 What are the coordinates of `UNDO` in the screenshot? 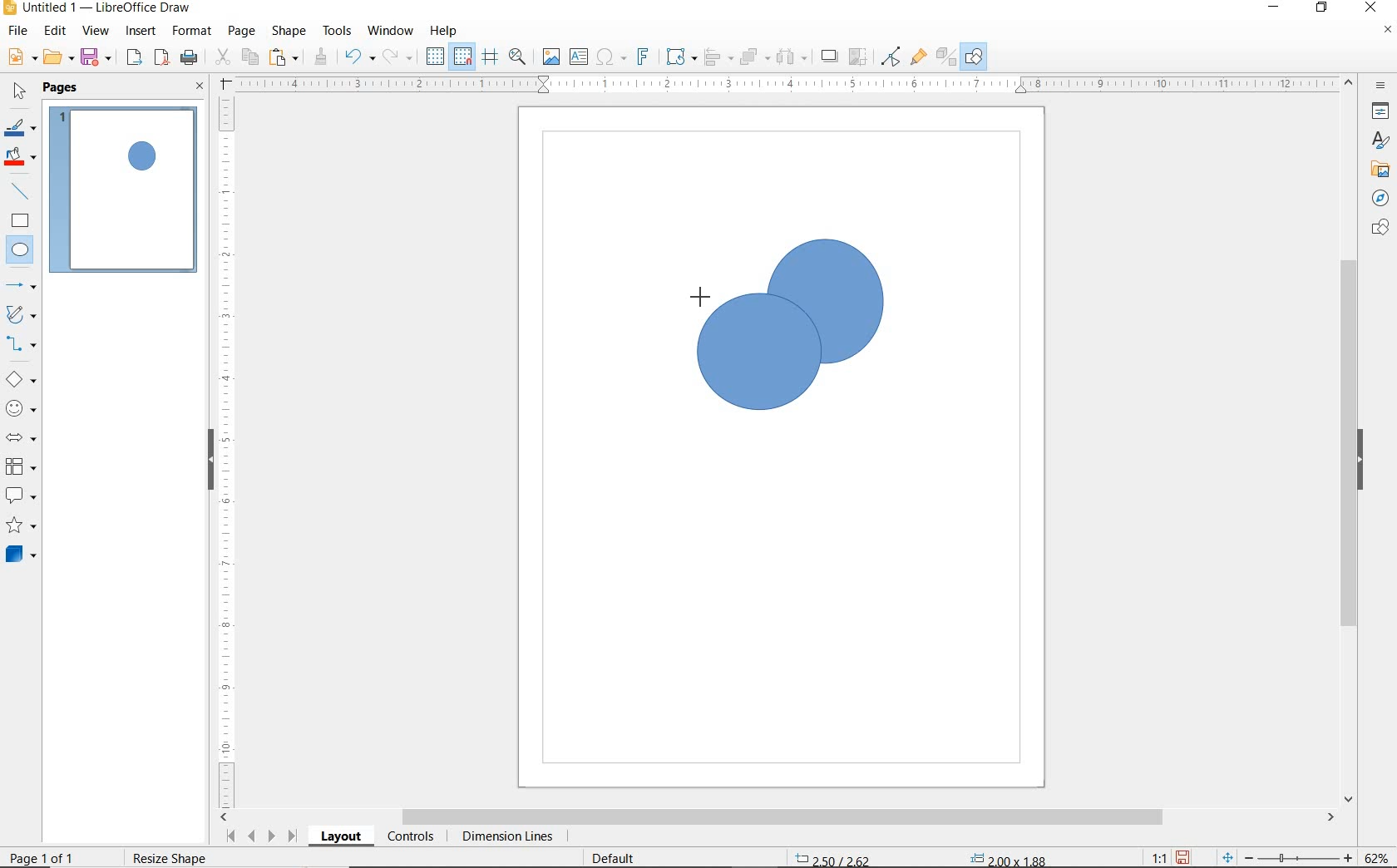 It's located at (359, 58).